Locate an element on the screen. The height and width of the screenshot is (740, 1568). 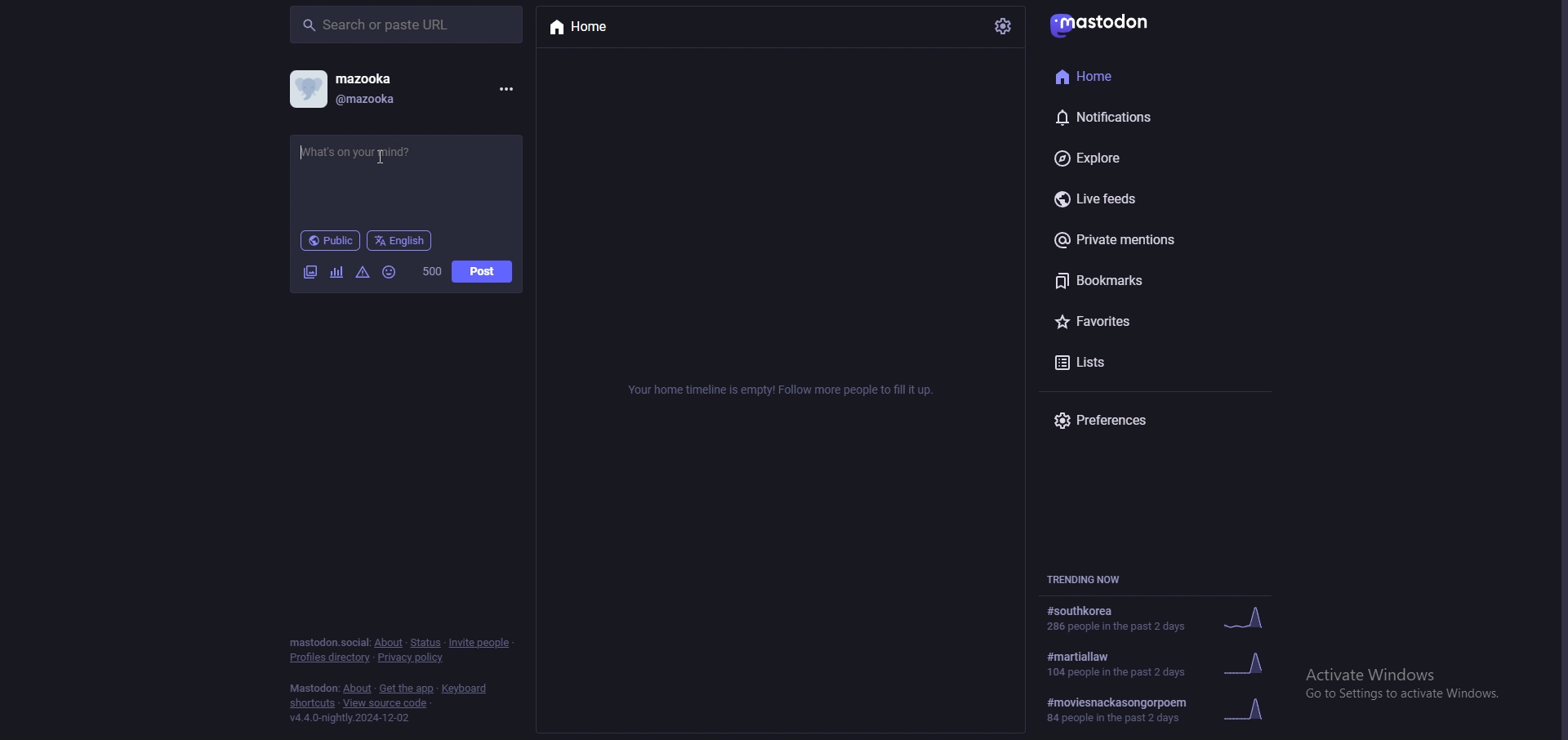
shortcuts is located at coordinates (311, 704).